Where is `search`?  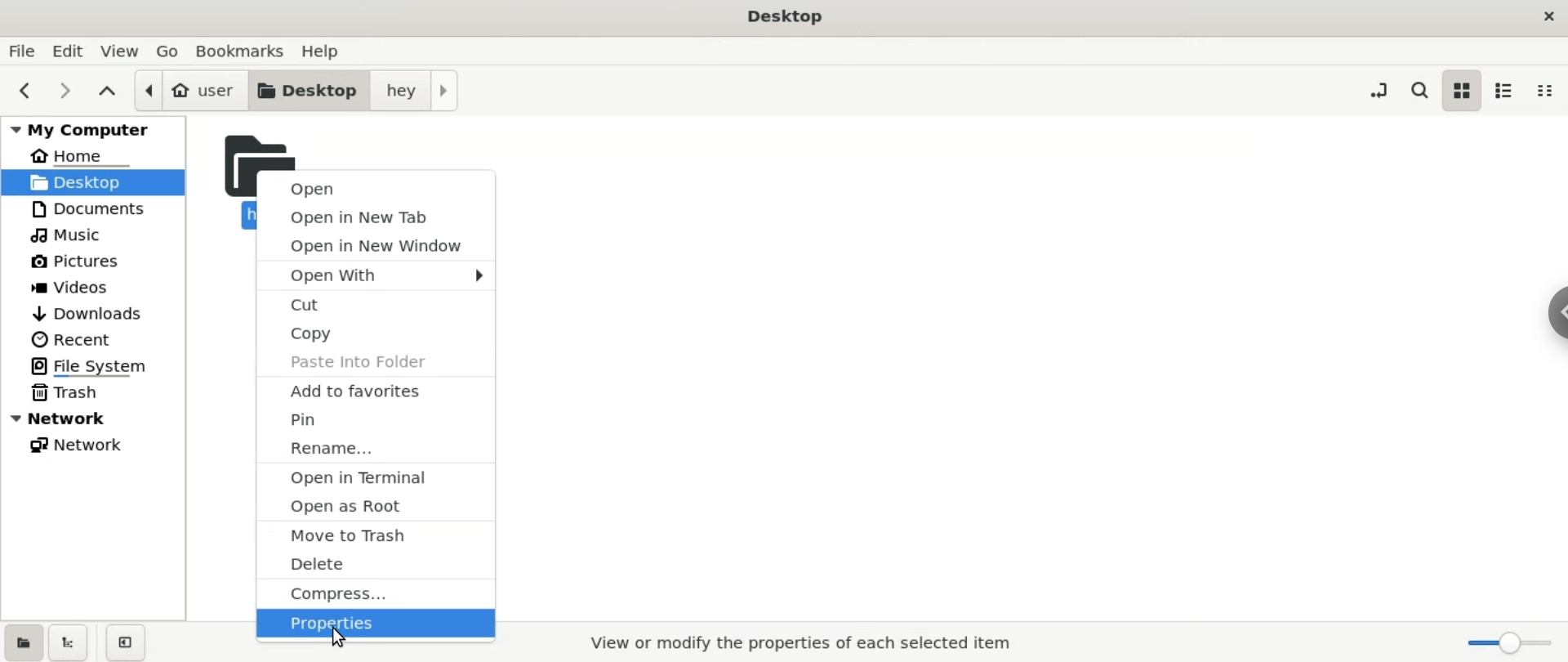
search is located at coordinates (1422, 91).